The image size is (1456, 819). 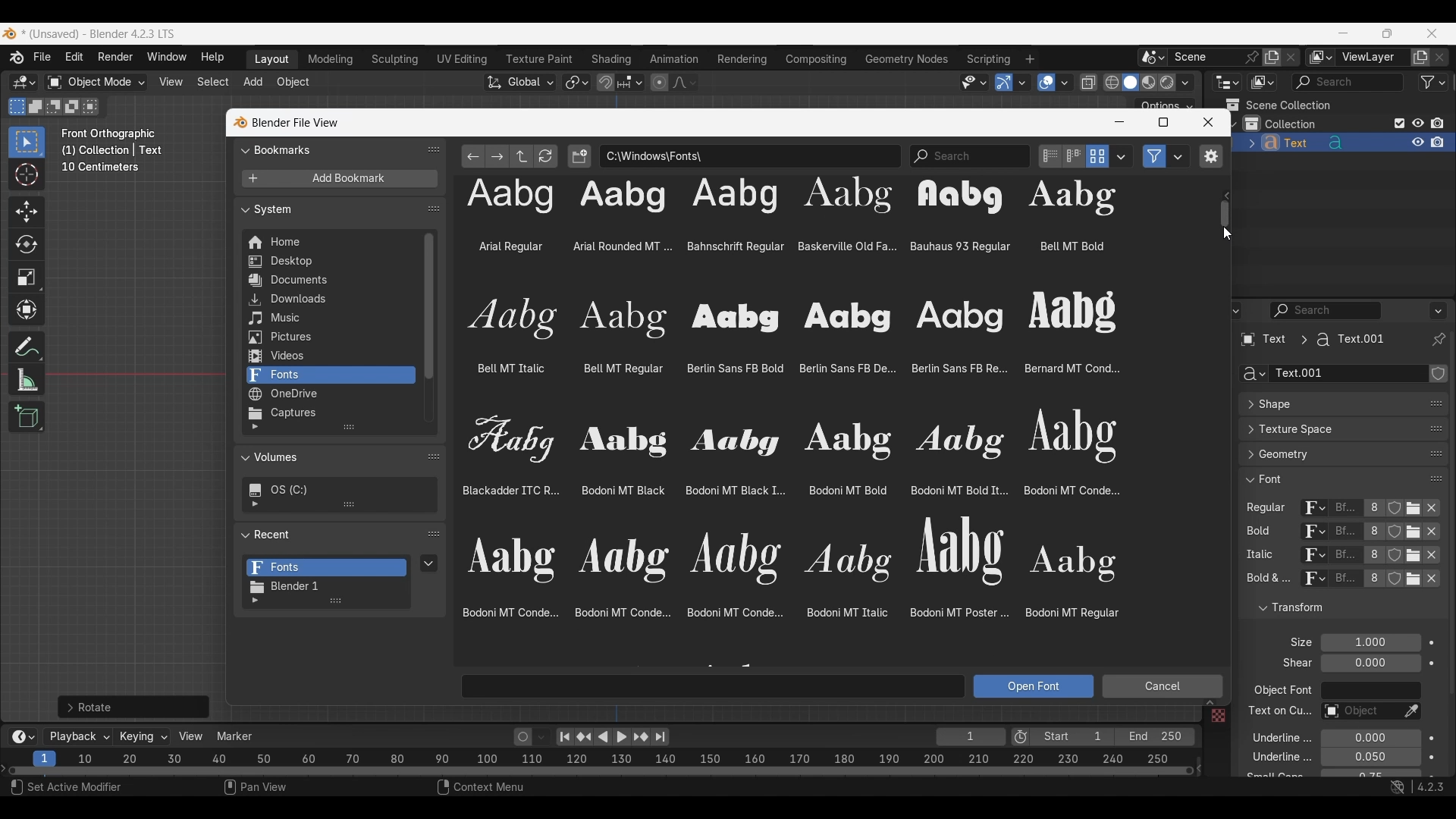 What do you see at coordinates (1432, 33) in the screenshot?
I see `Close interface` at bounding box center [1432, 33].